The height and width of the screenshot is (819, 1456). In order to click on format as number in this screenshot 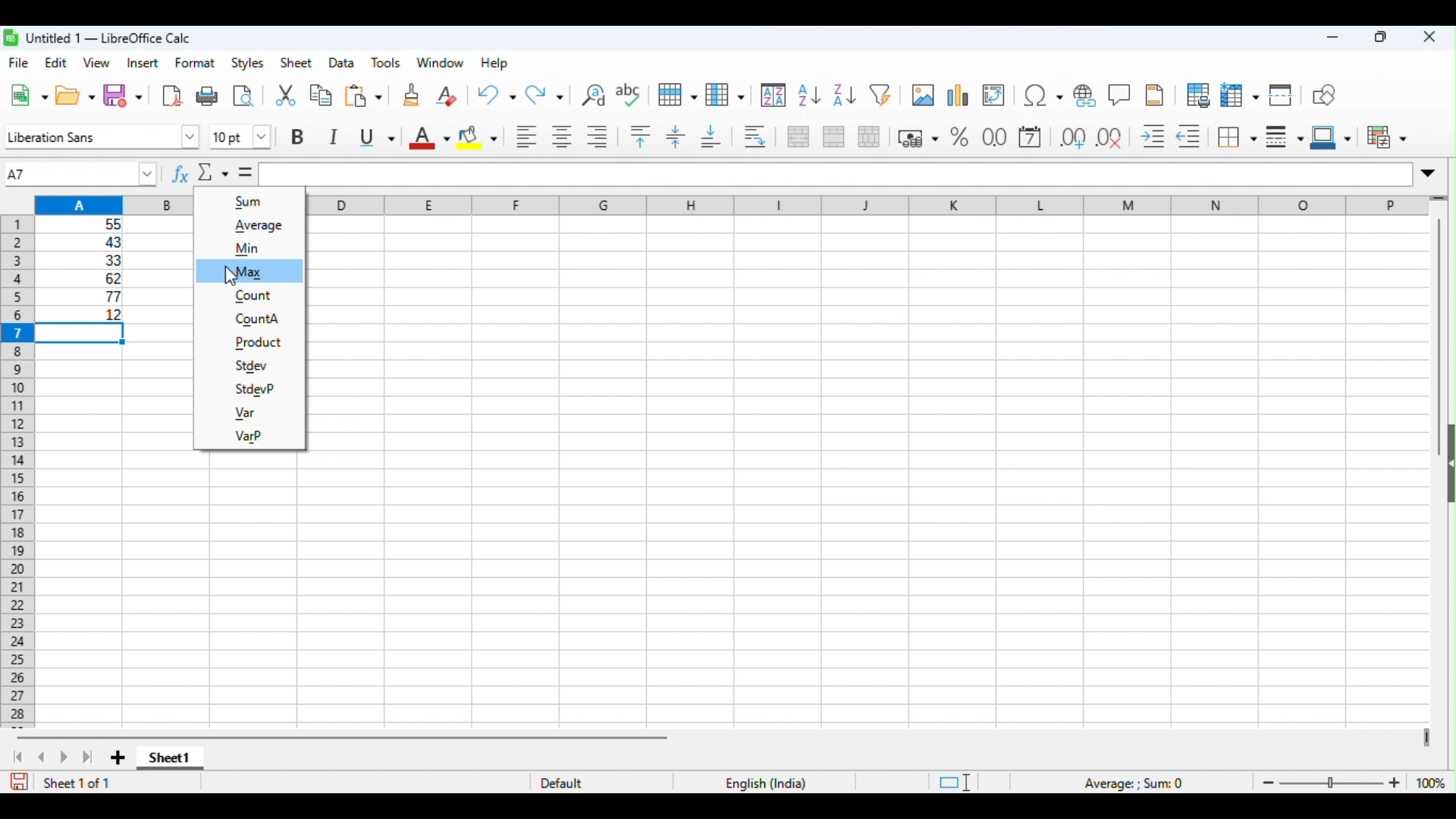, I will do `click(995, 138)`.